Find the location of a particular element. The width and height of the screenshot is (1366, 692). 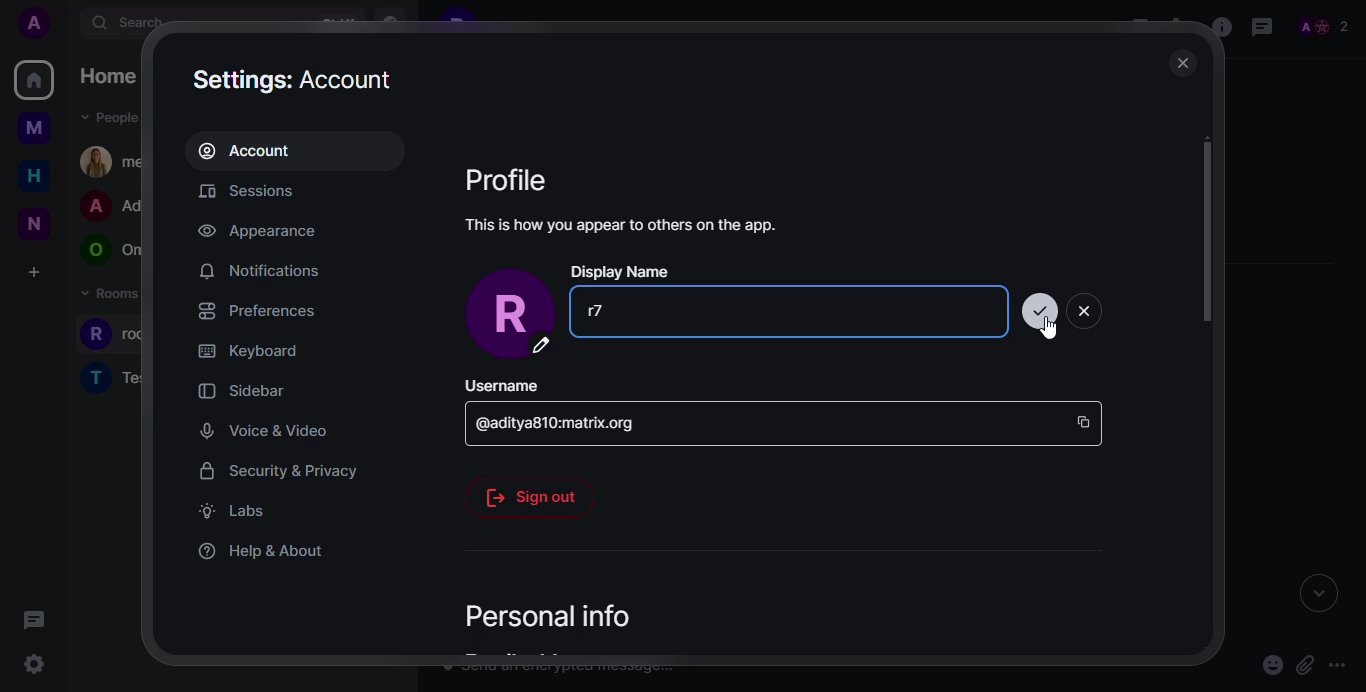

expand is located at coordinates (1312, 593).